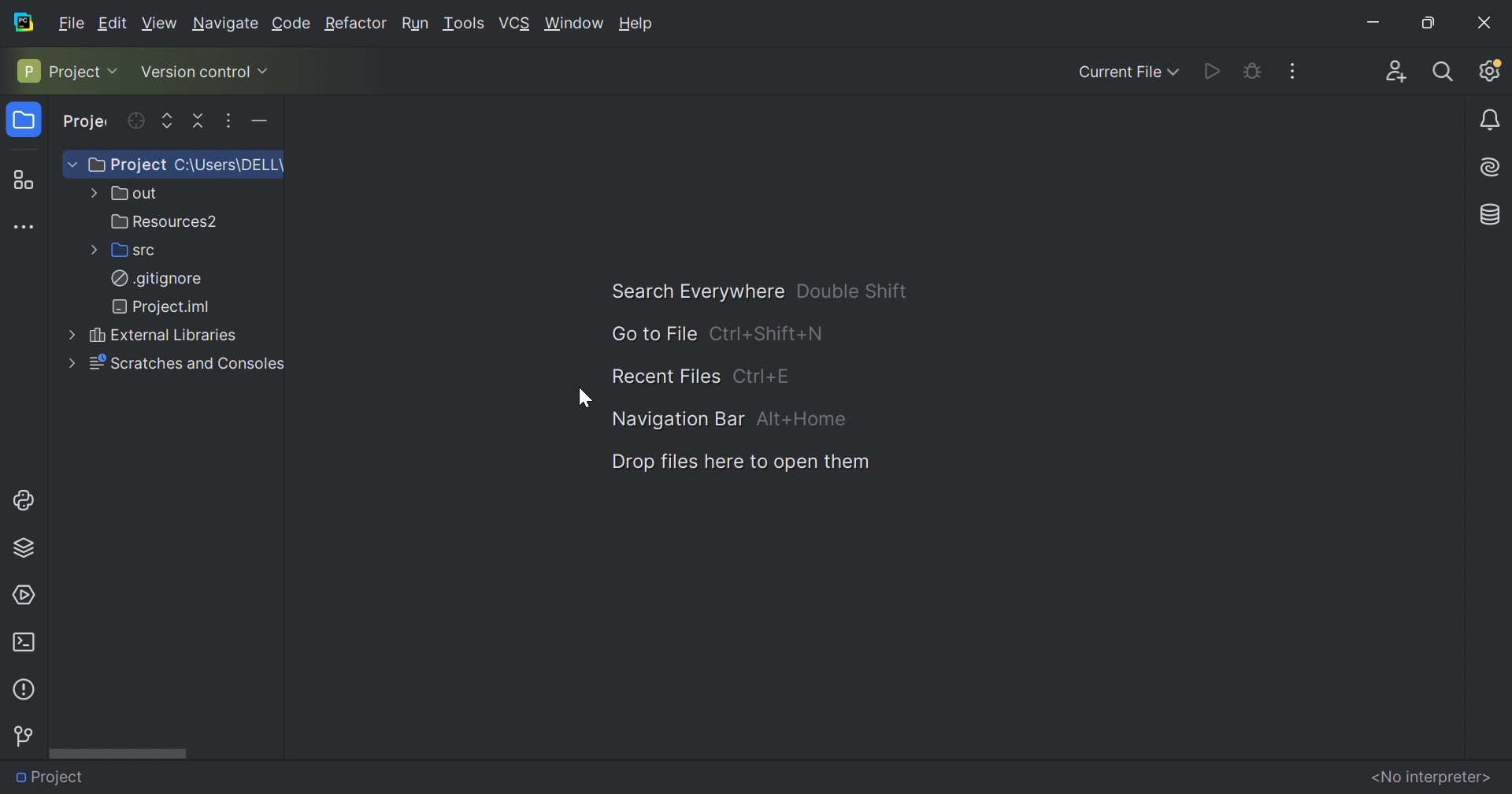  What do you see at coordinates (53, 775) in the screenshot?
I see `Project` at bounding box center [53, 775].